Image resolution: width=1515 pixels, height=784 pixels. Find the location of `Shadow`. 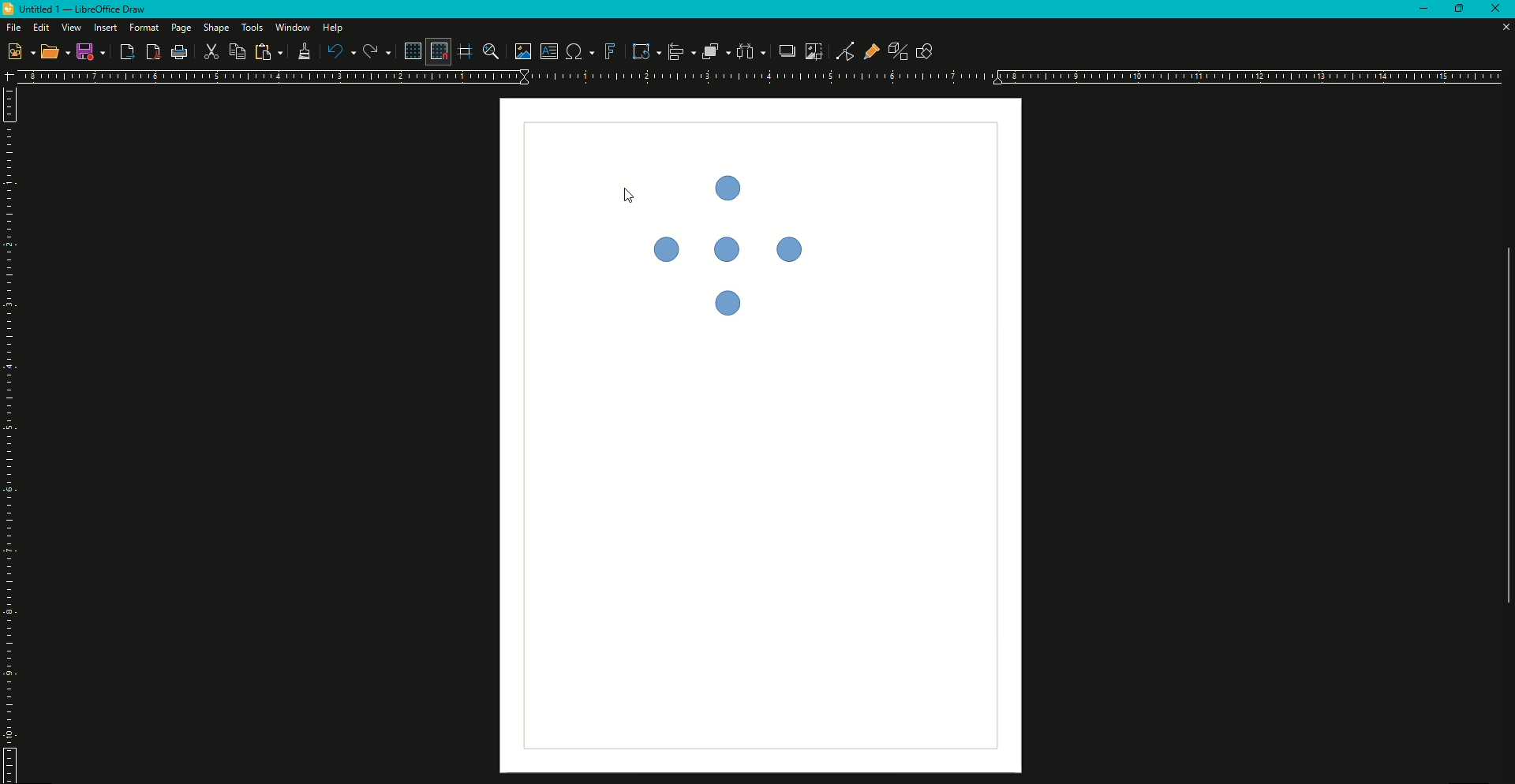

Shadow is located at coordinates (785, 51).